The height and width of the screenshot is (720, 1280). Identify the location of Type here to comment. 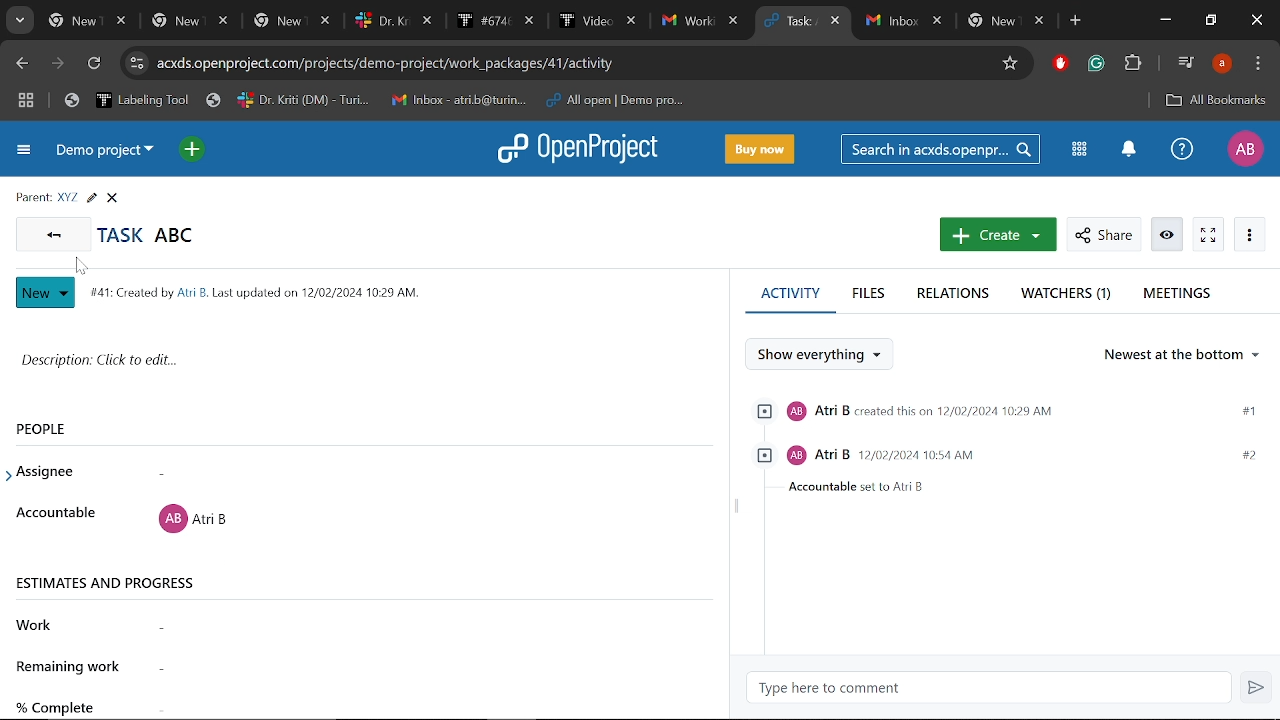
(988, 689).